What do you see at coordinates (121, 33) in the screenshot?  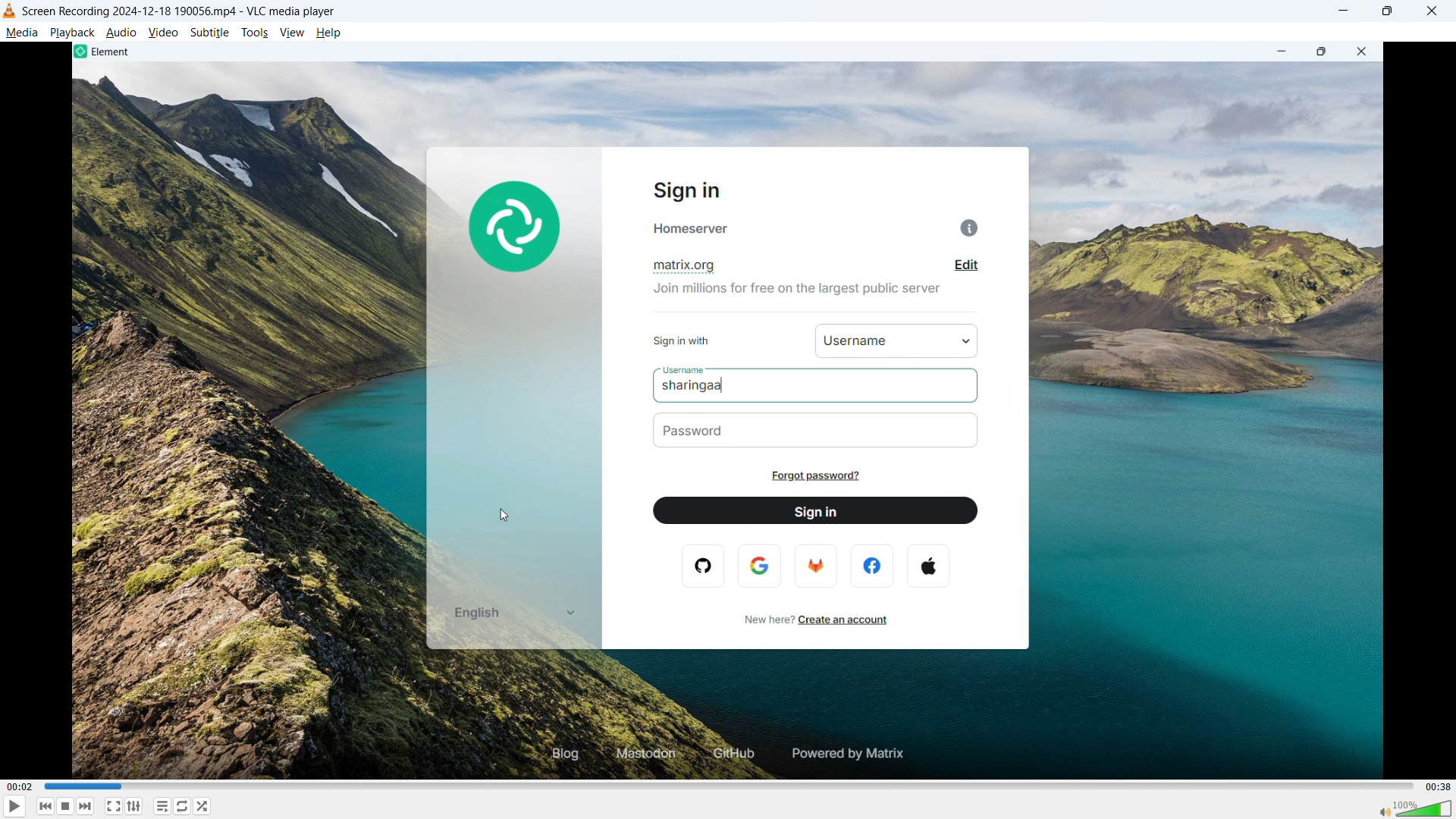 I see `Audio ` at bounding box center [121, 33].